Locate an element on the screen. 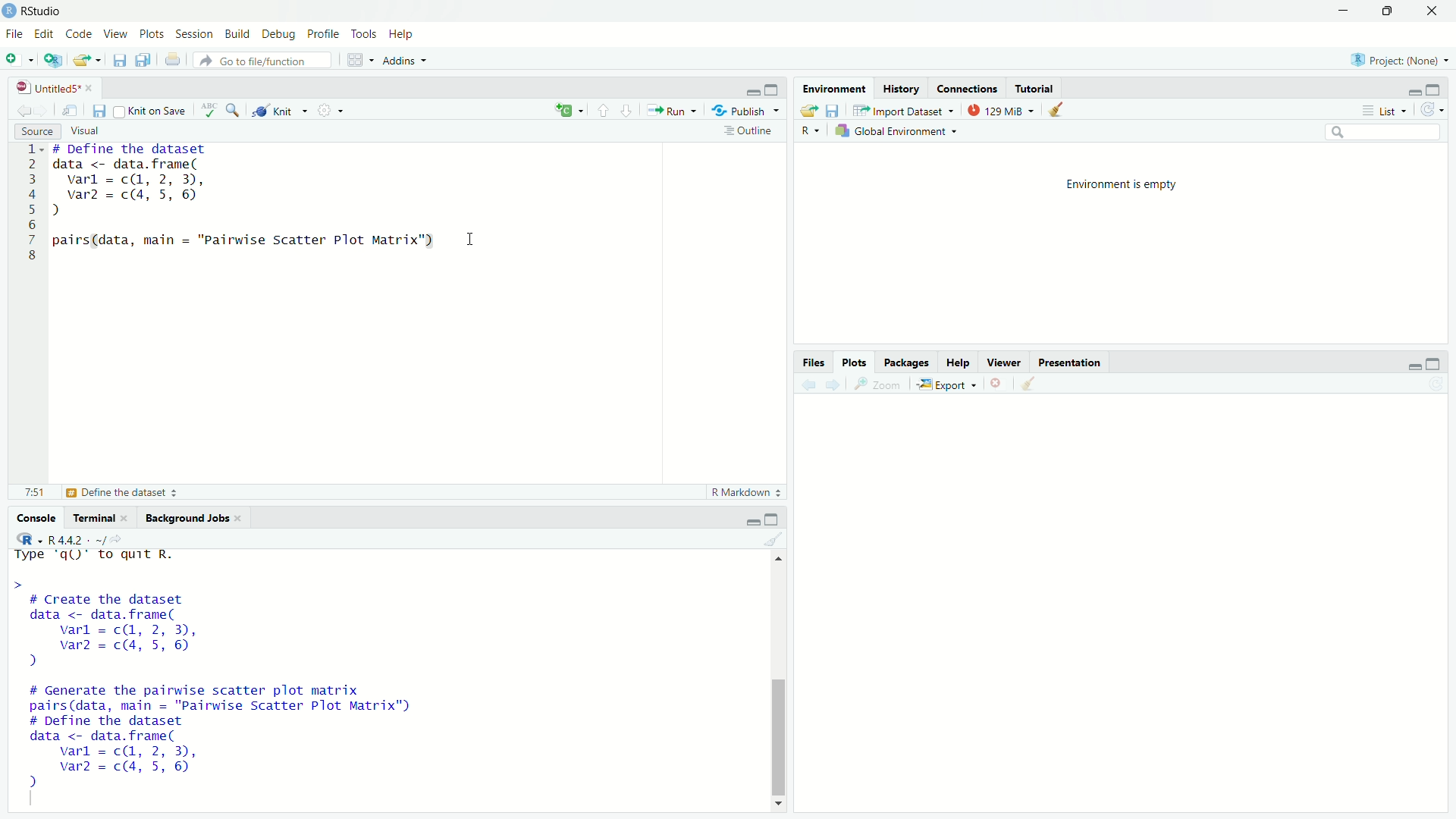  Run the current line or selection (Ctrl + Enter) is located at coordinates (670, 109).